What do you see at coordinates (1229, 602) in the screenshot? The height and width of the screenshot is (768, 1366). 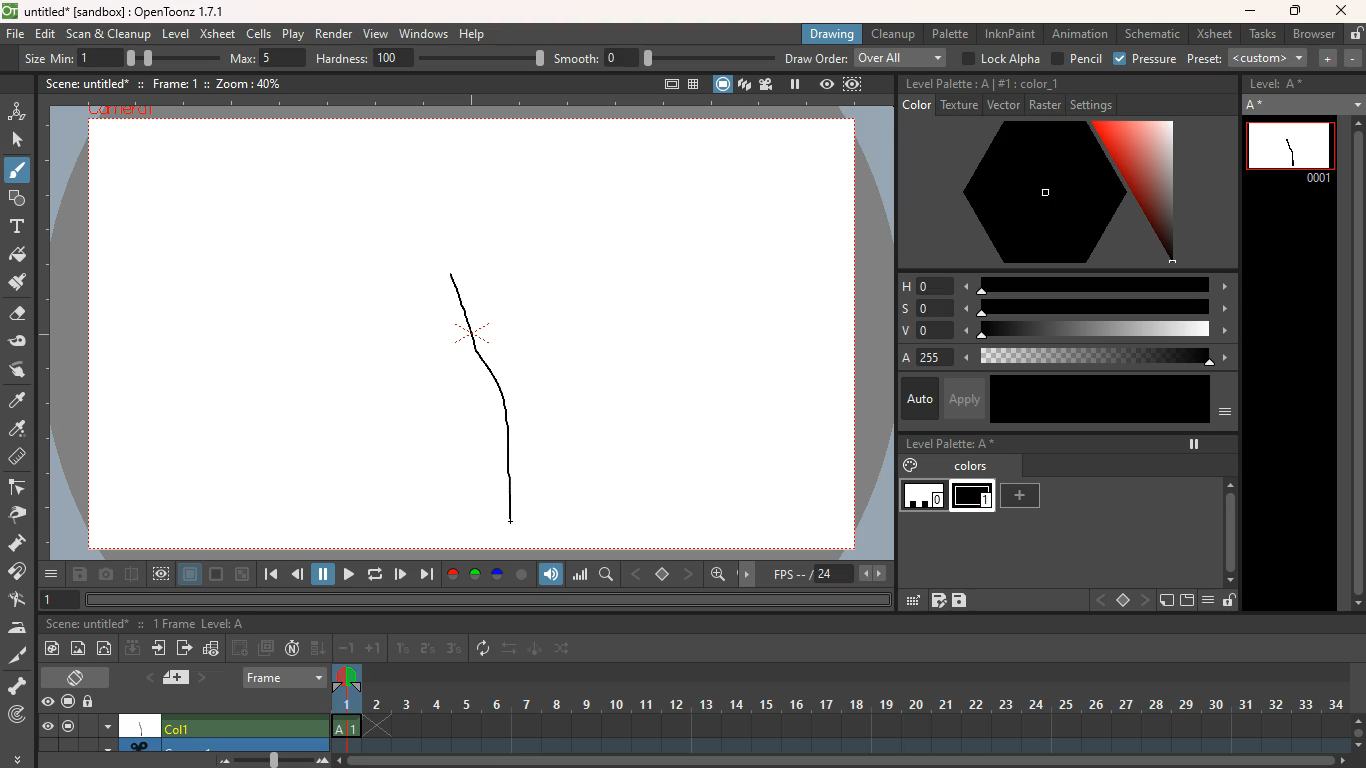 I see `unlock` at bounding box center [1229, 602].